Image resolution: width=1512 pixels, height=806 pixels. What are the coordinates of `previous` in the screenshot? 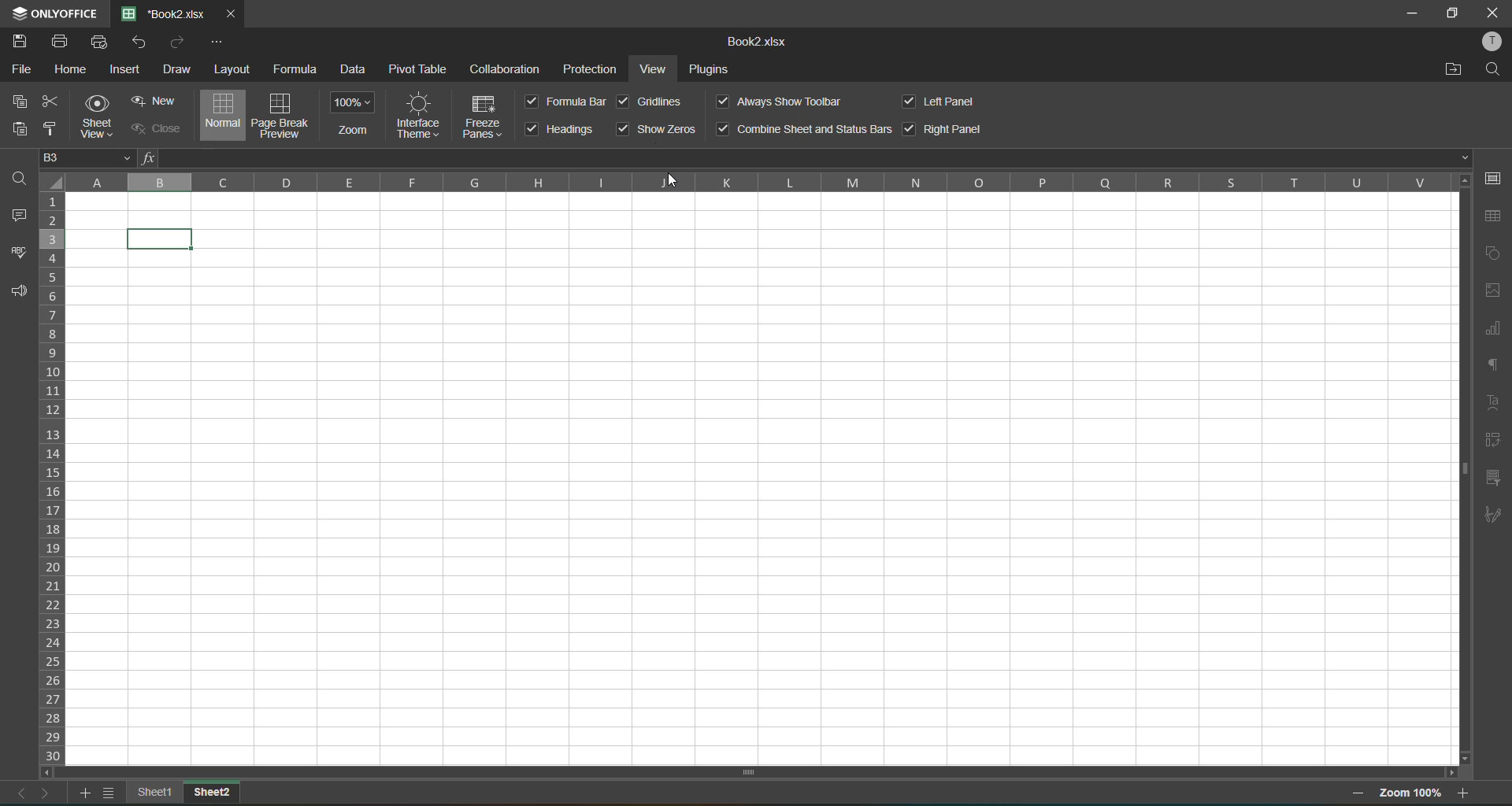 It's located at (16, 793).